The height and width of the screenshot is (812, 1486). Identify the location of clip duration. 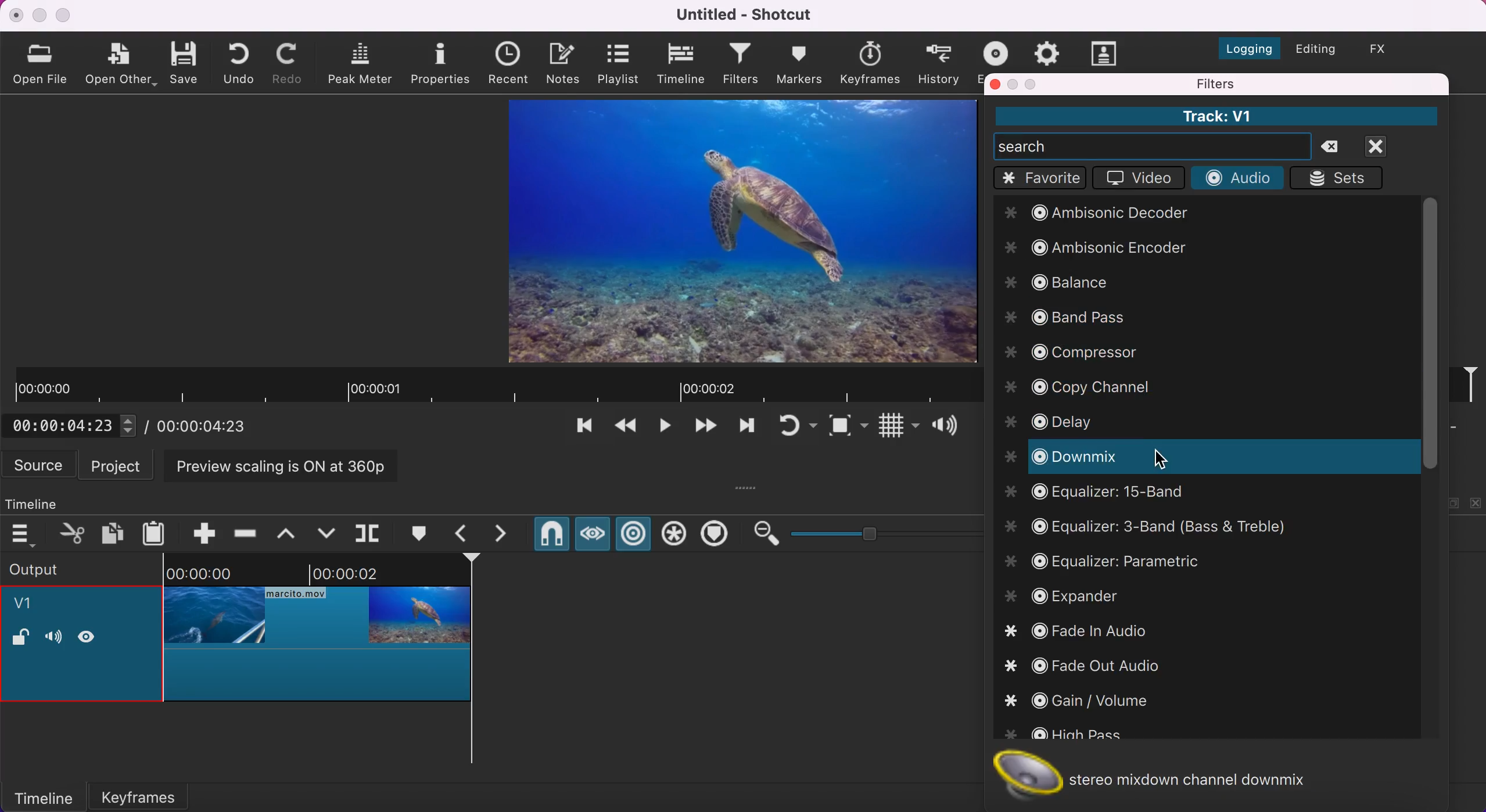
(494, 386).